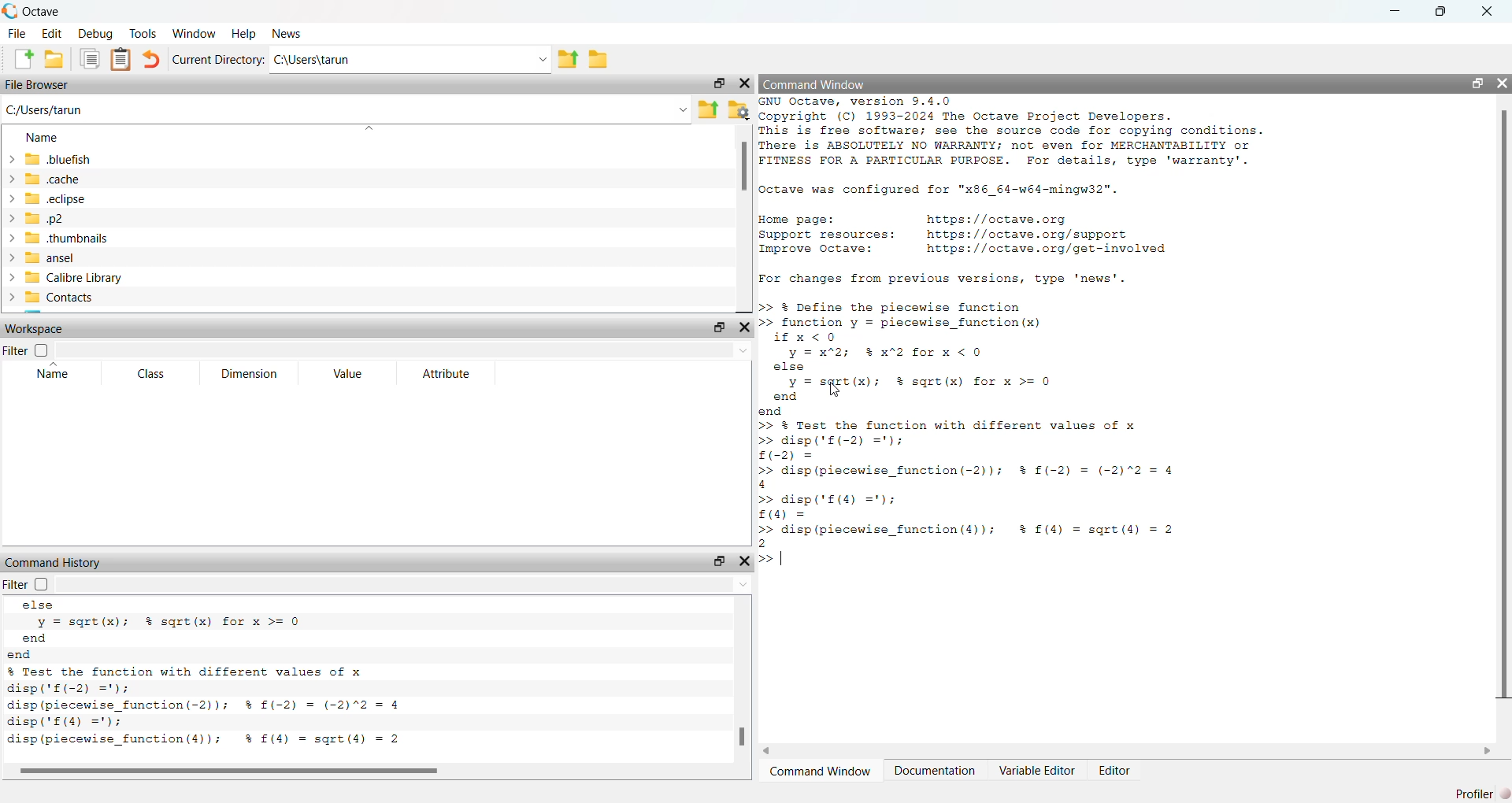 This screenshot has height=803, width=1512. Describe the element at coordinates (251, 373) in the screenshot. I see `Dimension` at that location.